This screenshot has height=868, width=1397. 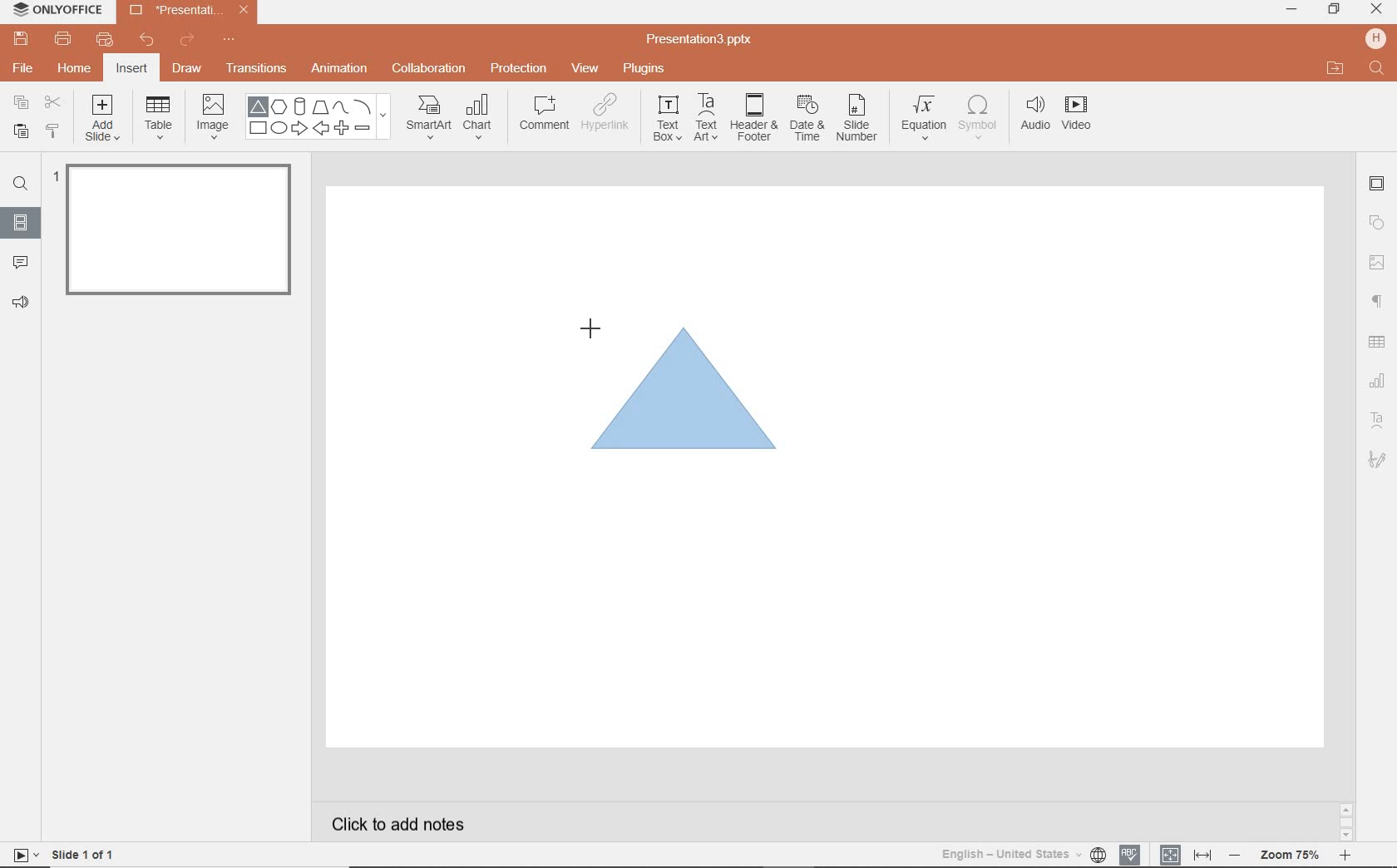 I want to click on mouse pointer, so click(x=589, y=326).